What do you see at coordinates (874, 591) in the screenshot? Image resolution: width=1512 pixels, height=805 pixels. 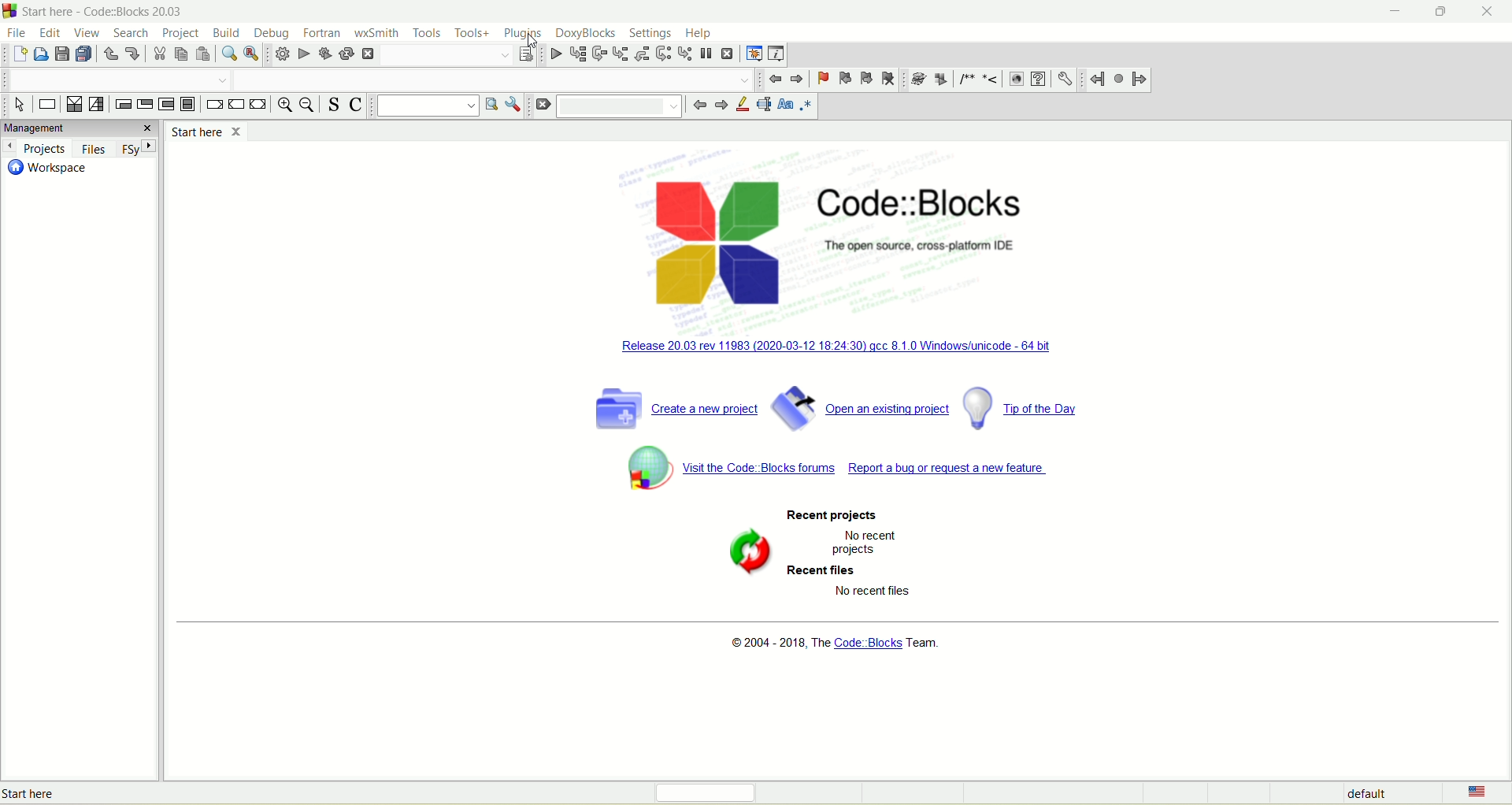 I see `No recent files` at bounding box center [874, 591].